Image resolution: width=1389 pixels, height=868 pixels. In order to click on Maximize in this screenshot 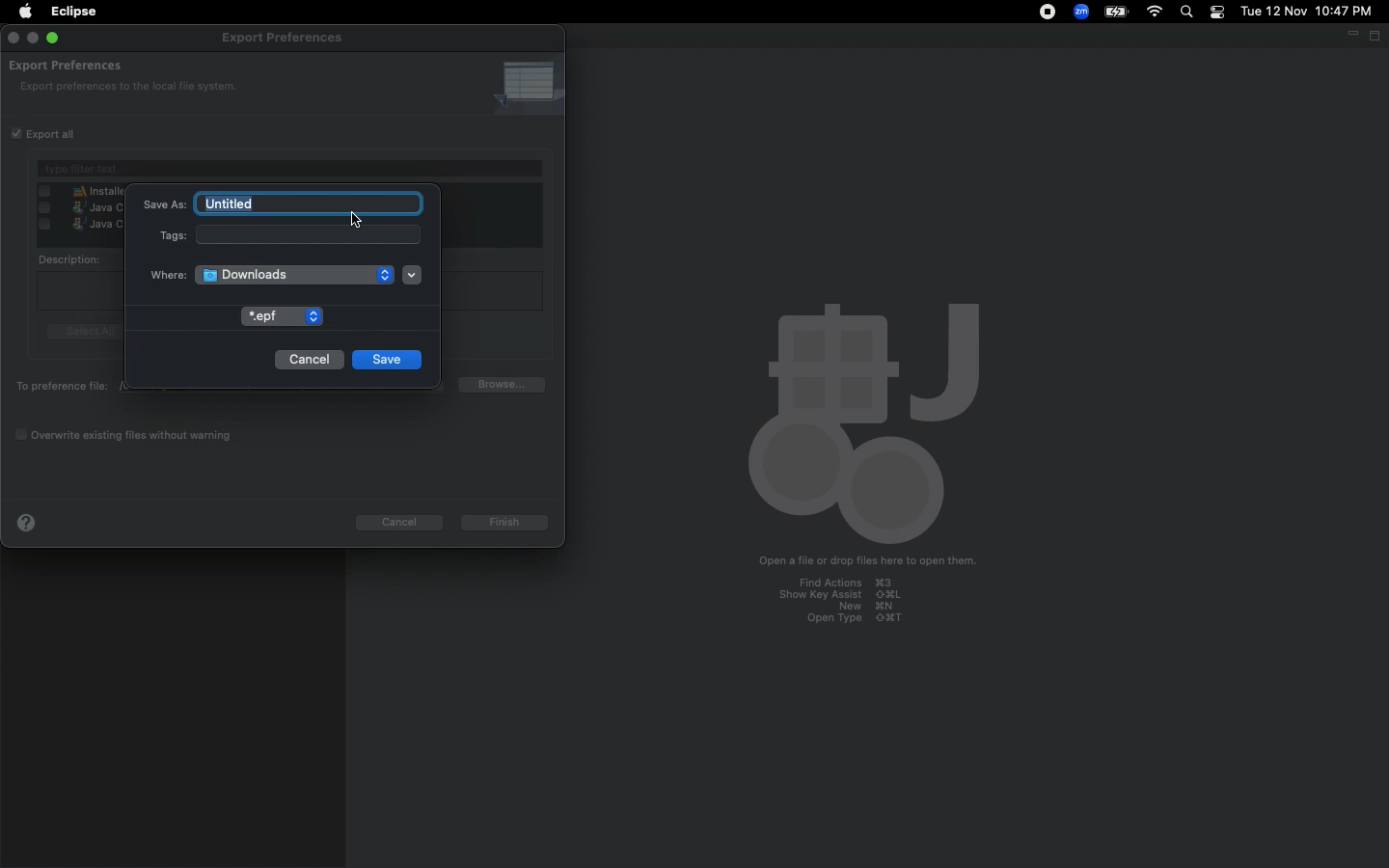, I will do `click(1376, 37)`.